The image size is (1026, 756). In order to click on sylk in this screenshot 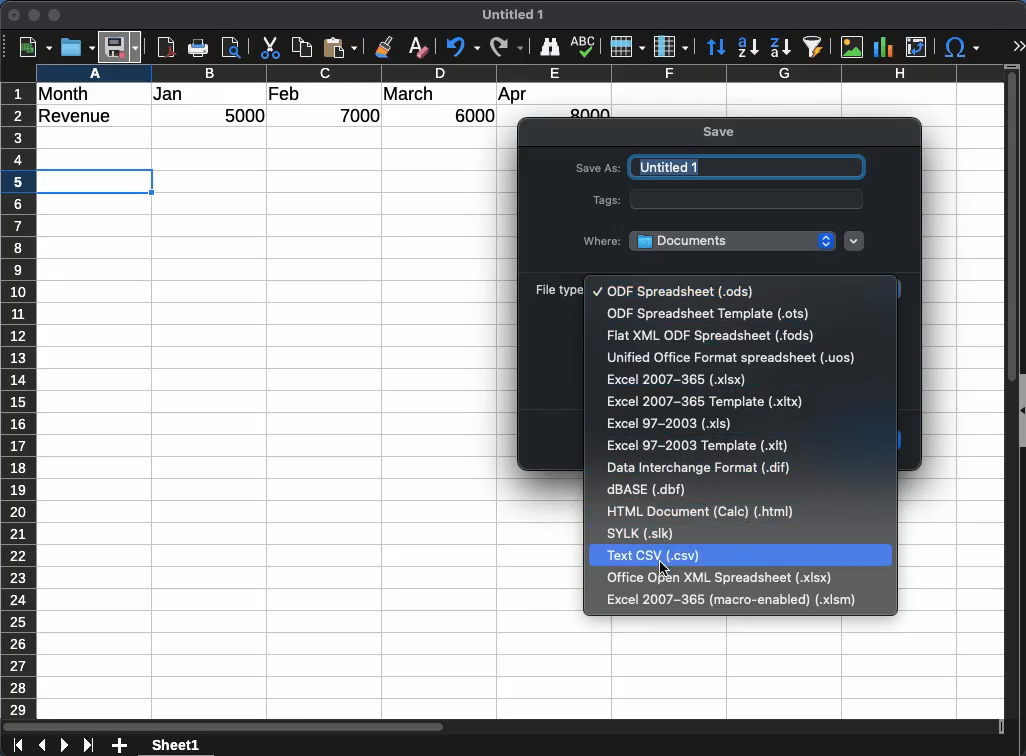, I will do `click(642, 534)`.